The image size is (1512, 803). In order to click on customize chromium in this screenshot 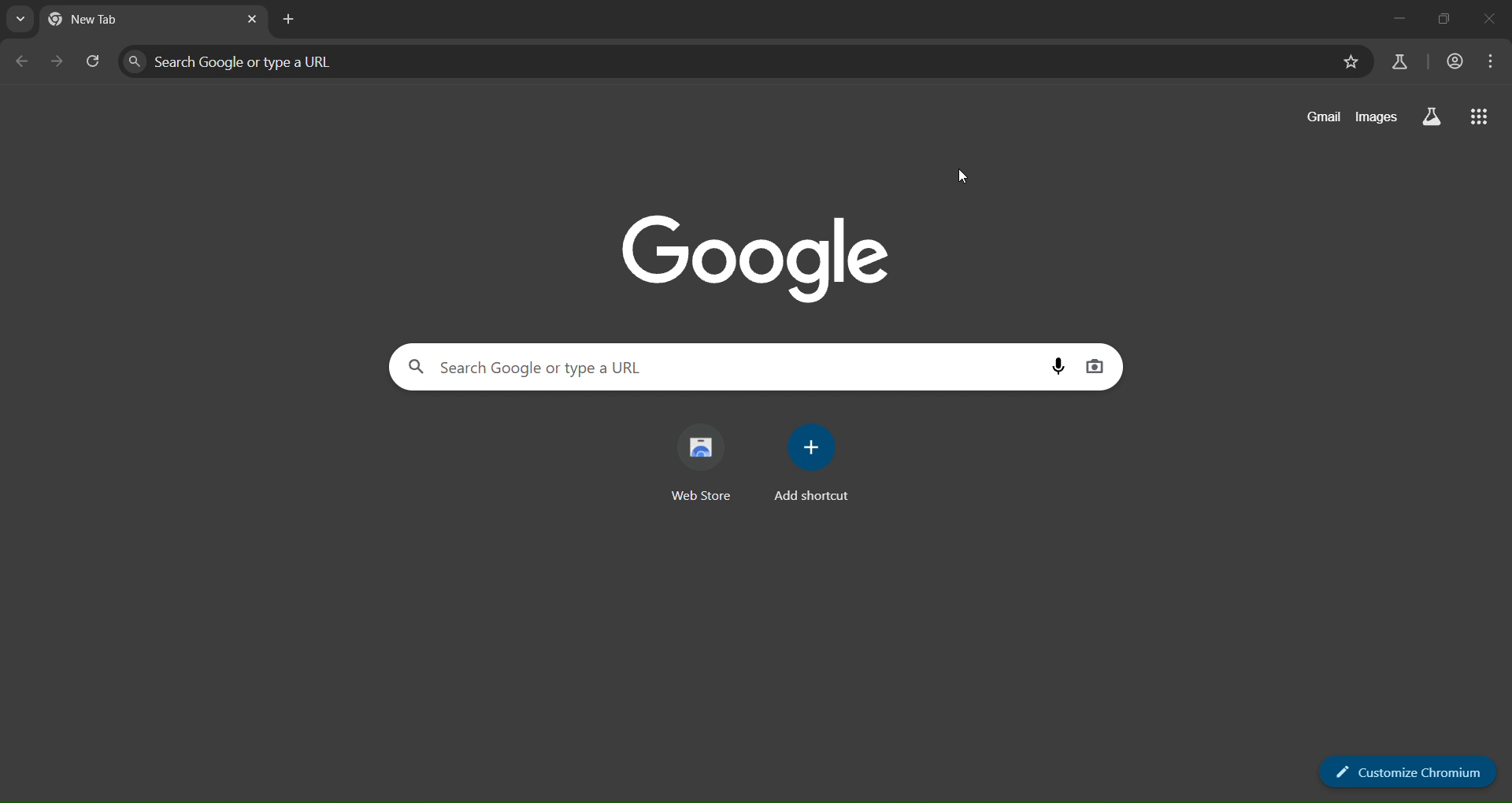, I will do `click(1407, 770)`.